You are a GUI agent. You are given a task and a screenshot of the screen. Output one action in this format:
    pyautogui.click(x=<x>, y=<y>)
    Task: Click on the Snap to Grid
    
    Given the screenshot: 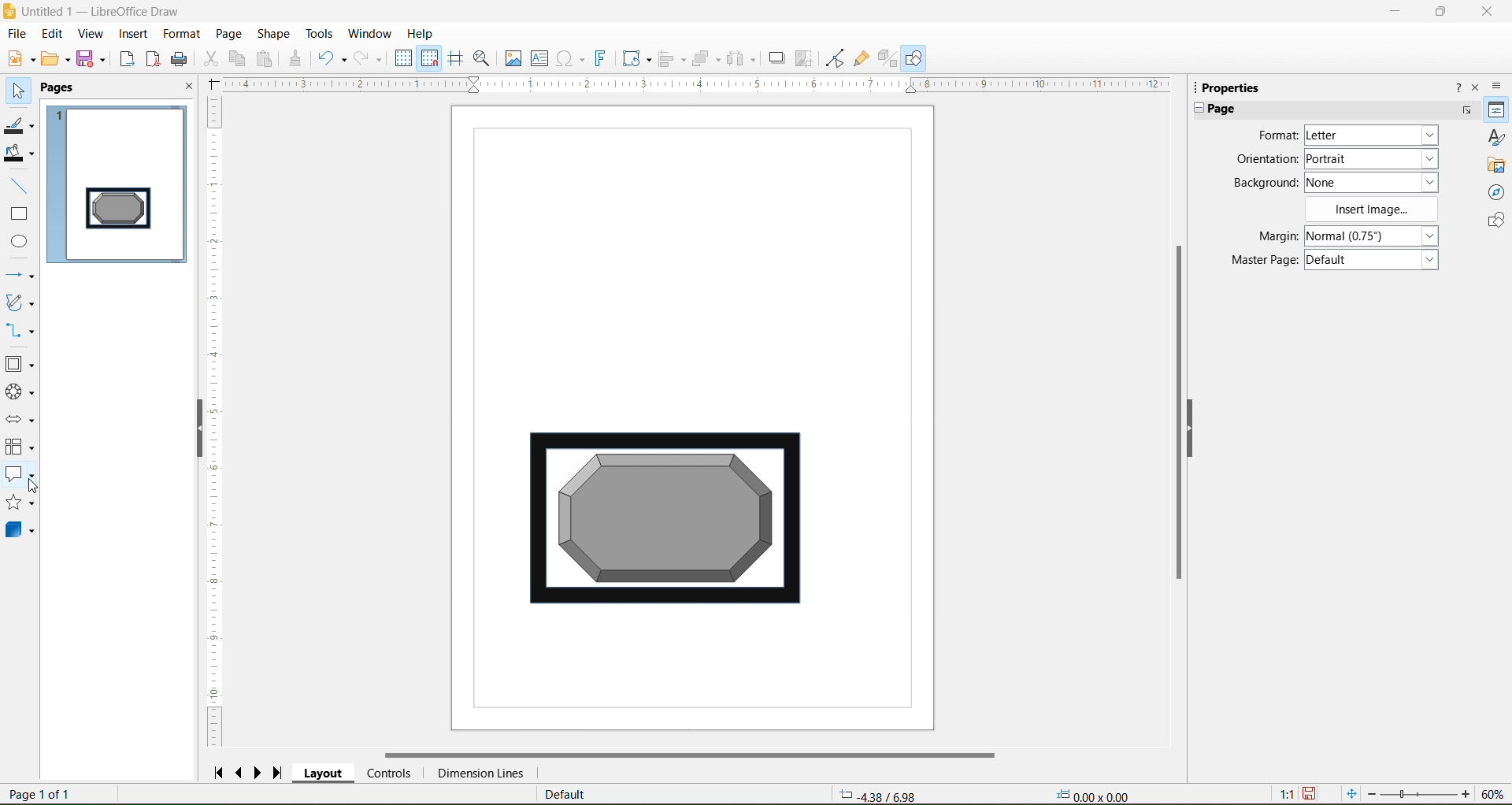 What is the action you would take?
    pyautogui.click(x=430, y=59)
    